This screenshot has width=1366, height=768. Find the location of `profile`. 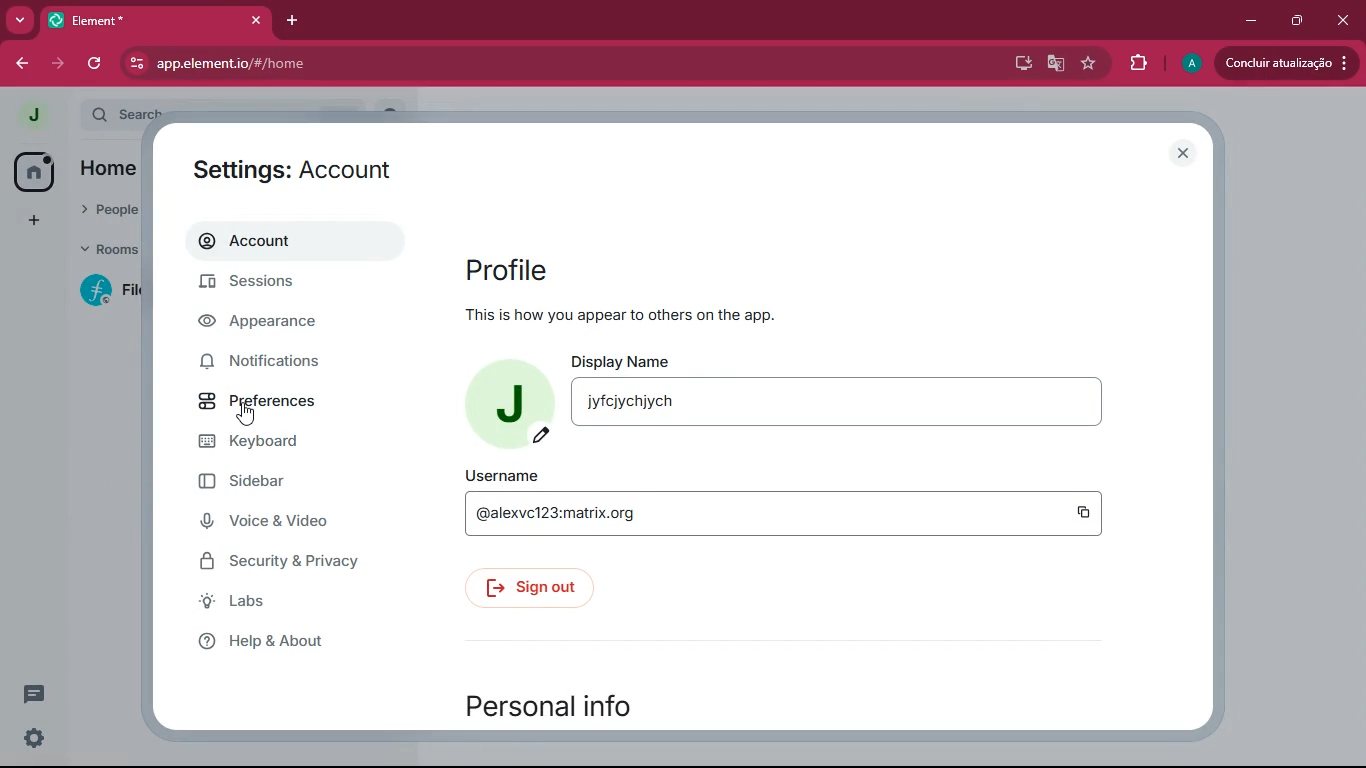

profile is located at coordinates (518, 272).